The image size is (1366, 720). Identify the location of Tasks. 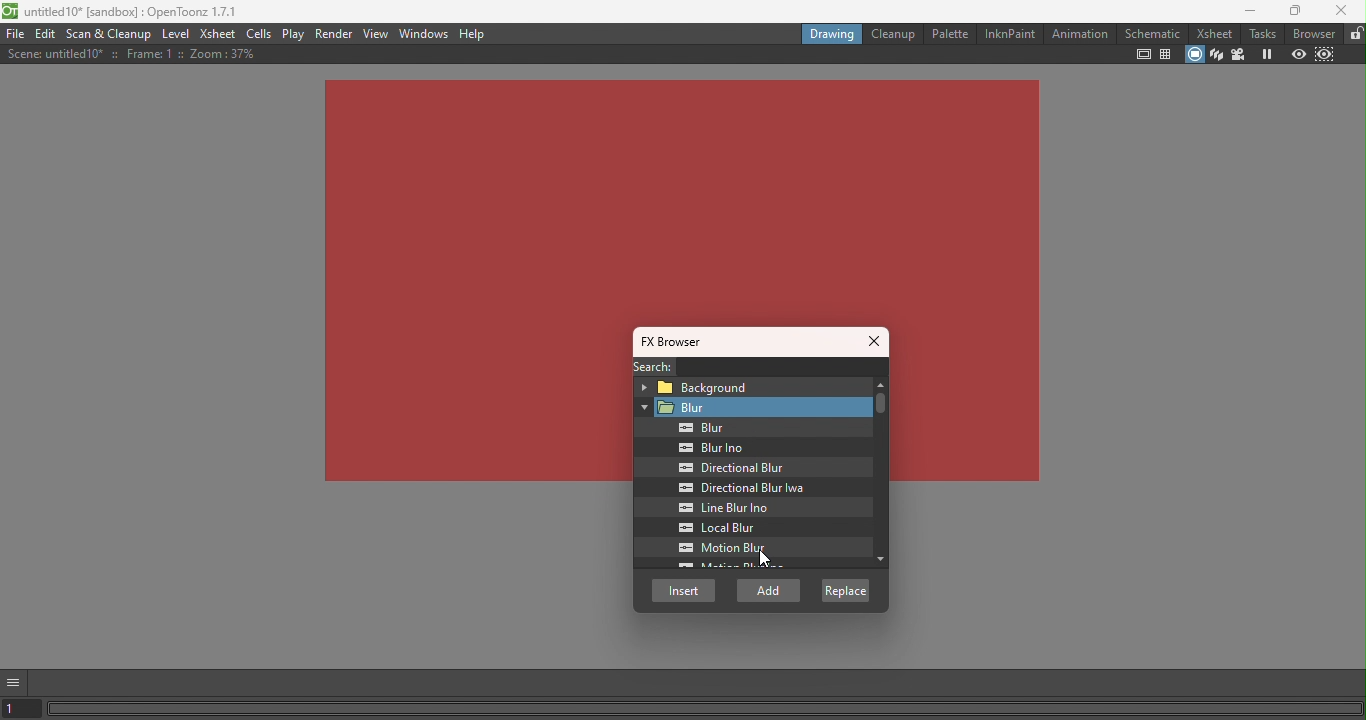
(1258, 34).